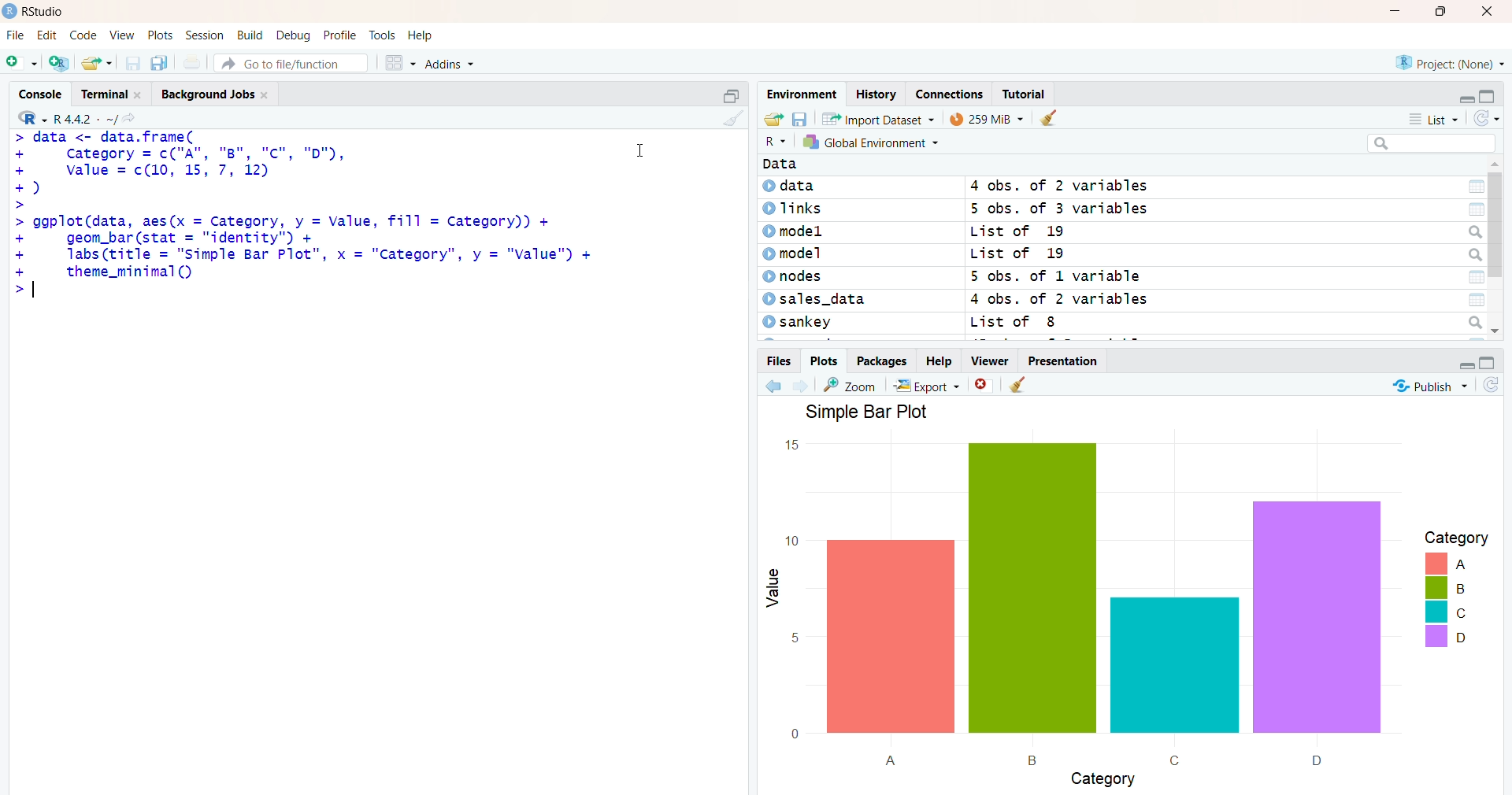 The image size is (1512, 795). What do you see at coordinates (291, 63) in the screenshot?
I see `# Go to file/function` at bounding box center [291, 63].